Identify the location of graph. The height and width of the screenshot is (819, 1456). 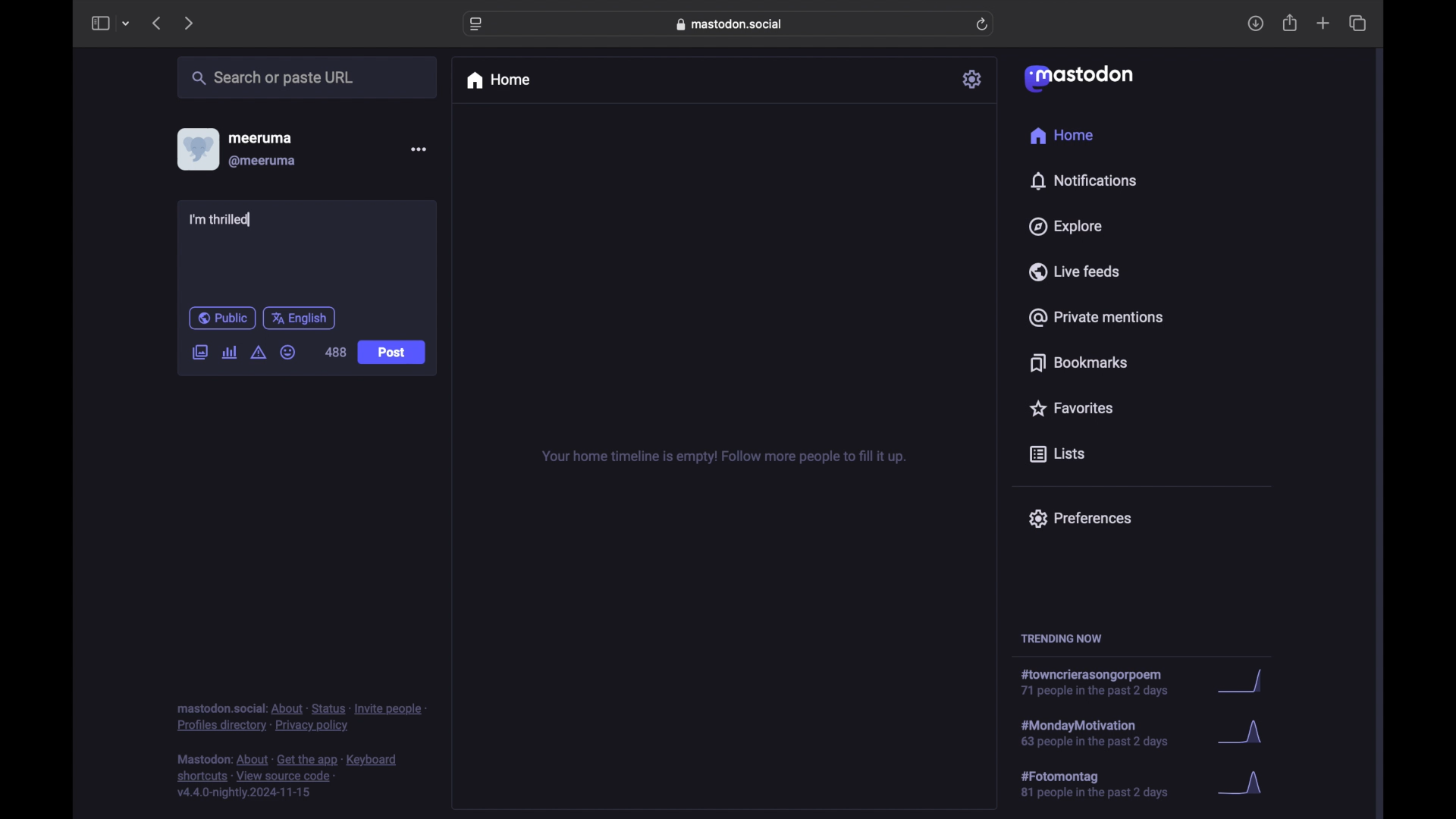
(1246, 682).